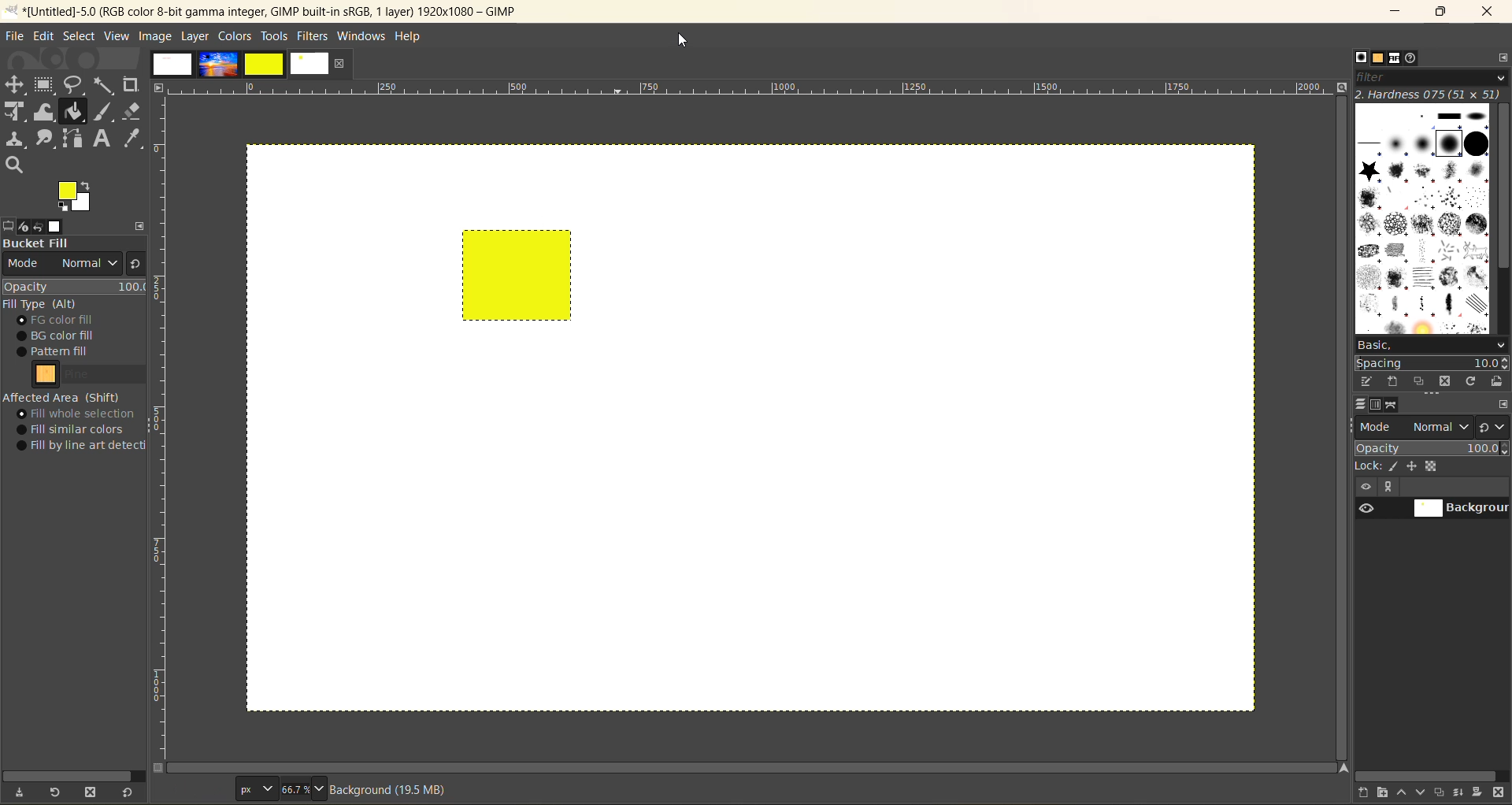  What do you see at coordinates (1432, 79) in the screenshot?
I see `filter` at bounding box center [1432, 79].